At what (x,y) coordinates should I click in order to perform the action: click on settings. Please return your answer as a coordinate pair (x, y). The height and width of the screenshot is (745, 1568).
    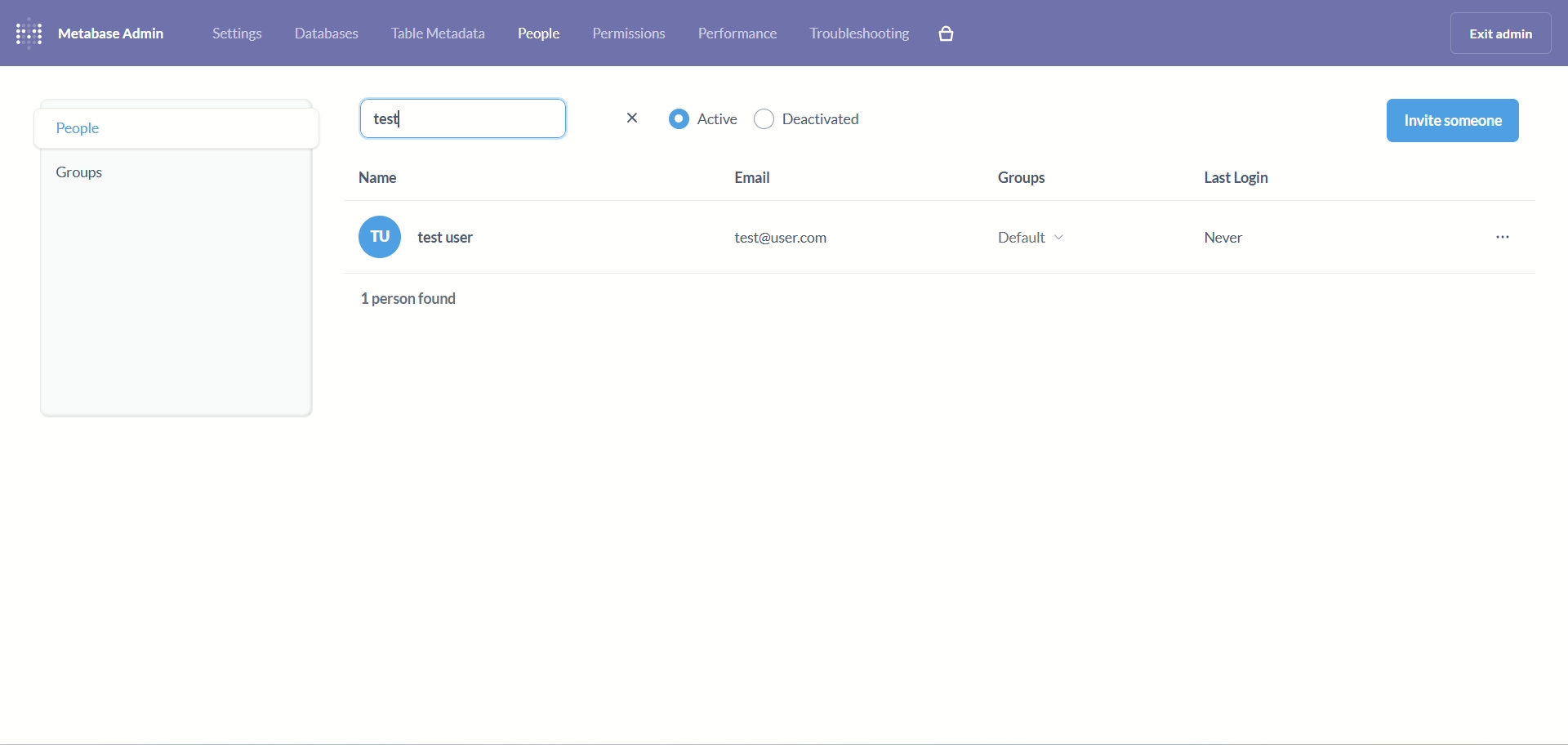
    Looking at the image, I should click on (238, 34).